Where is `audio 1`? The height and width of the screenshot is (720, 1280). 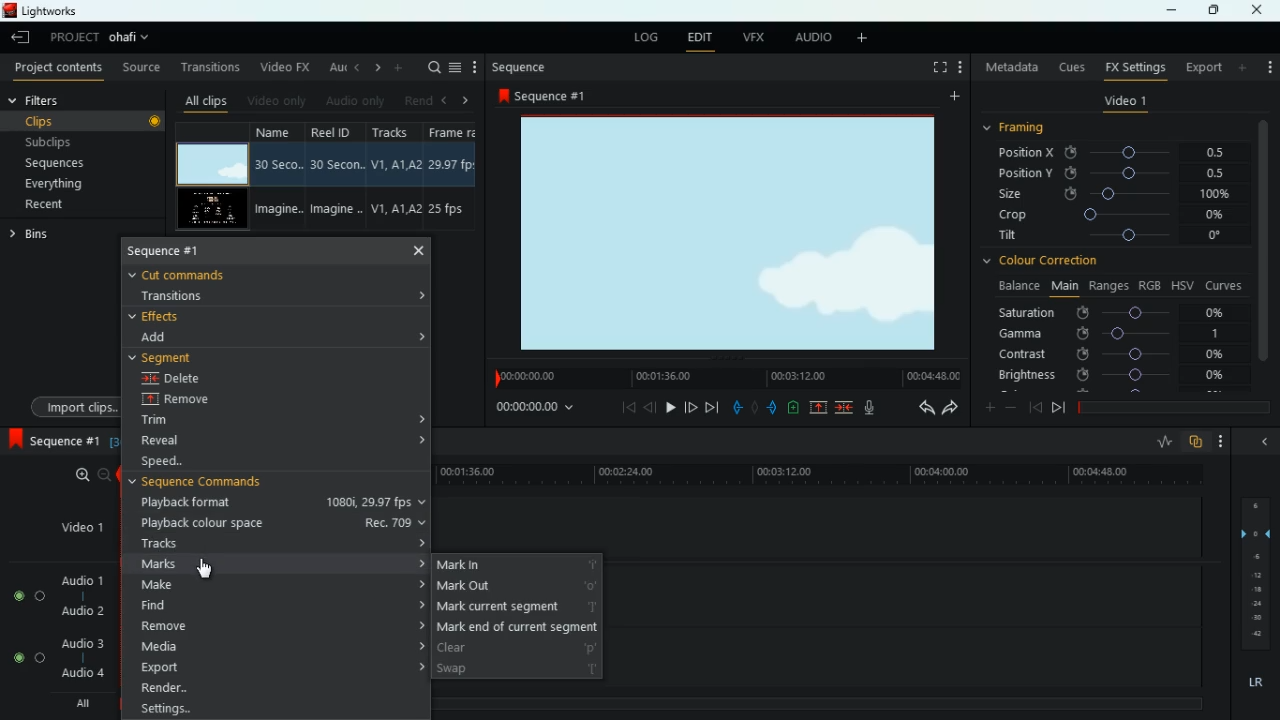 audio 1 is located at coordinates (78, 578).